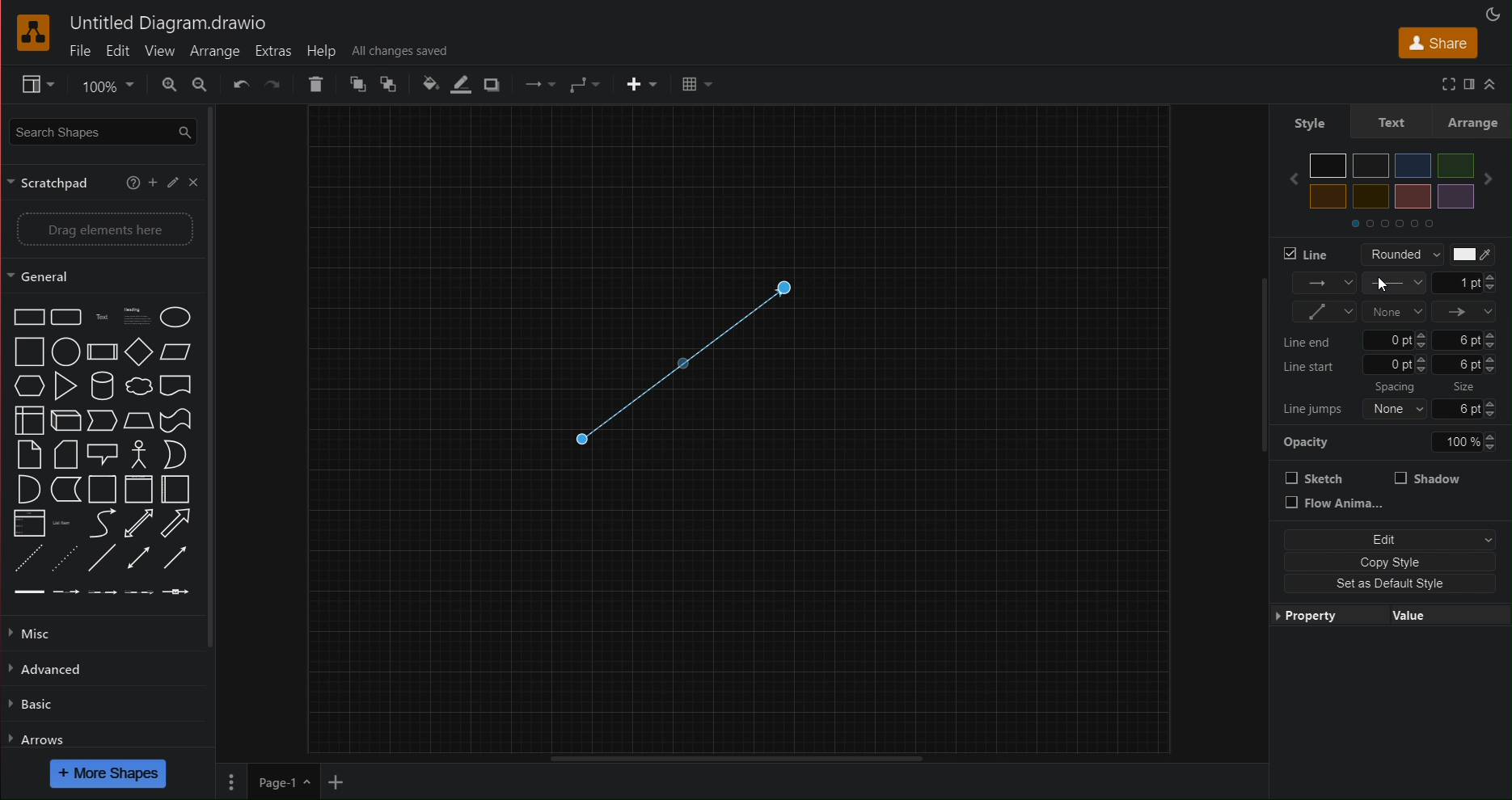 The height and width of the screenshot is (800, 1512). I want to click on All changes saved , so click(399, 50).